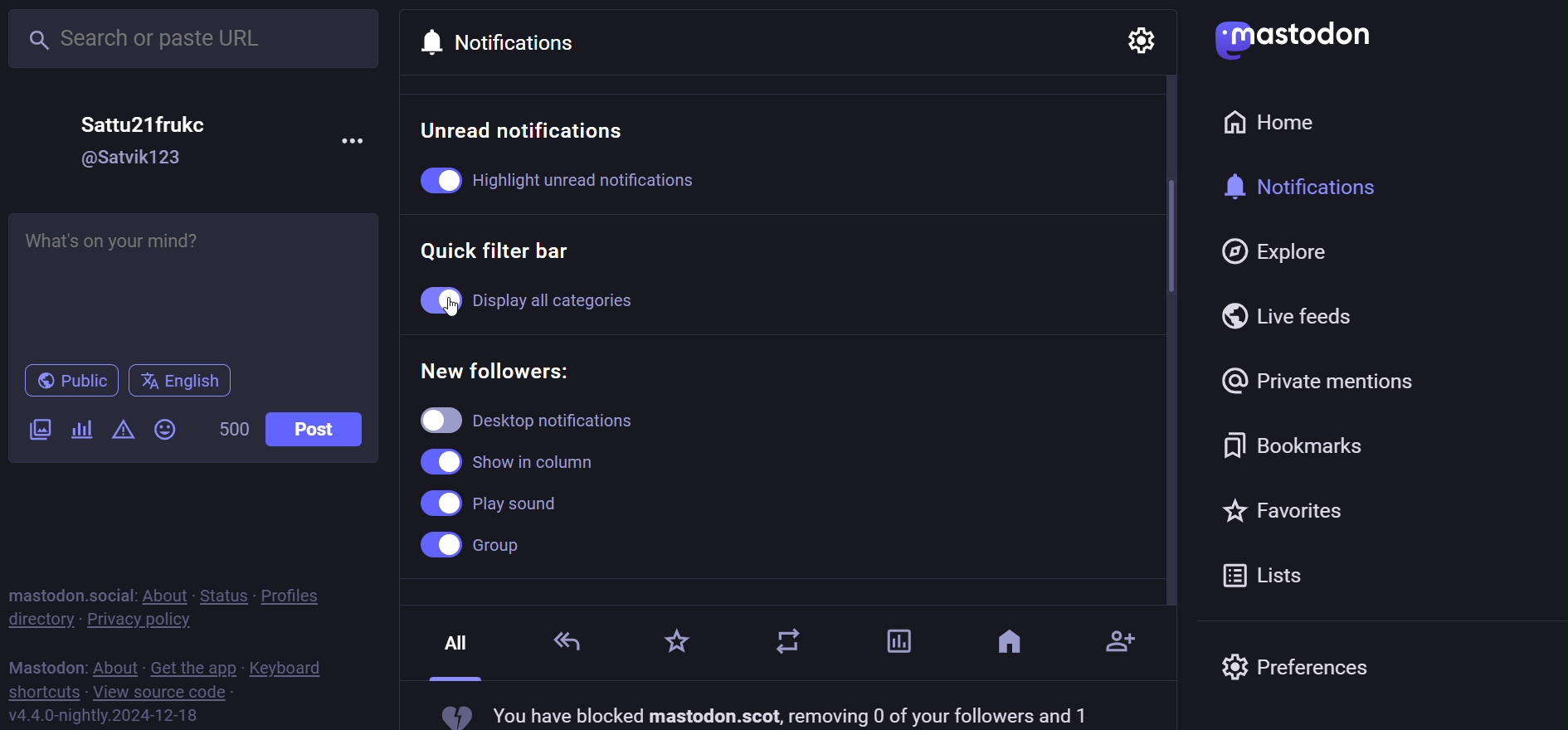  What do you see at coordinates (228, 433) in the screenshot?
I see `500` at bounding box center [228, 433].